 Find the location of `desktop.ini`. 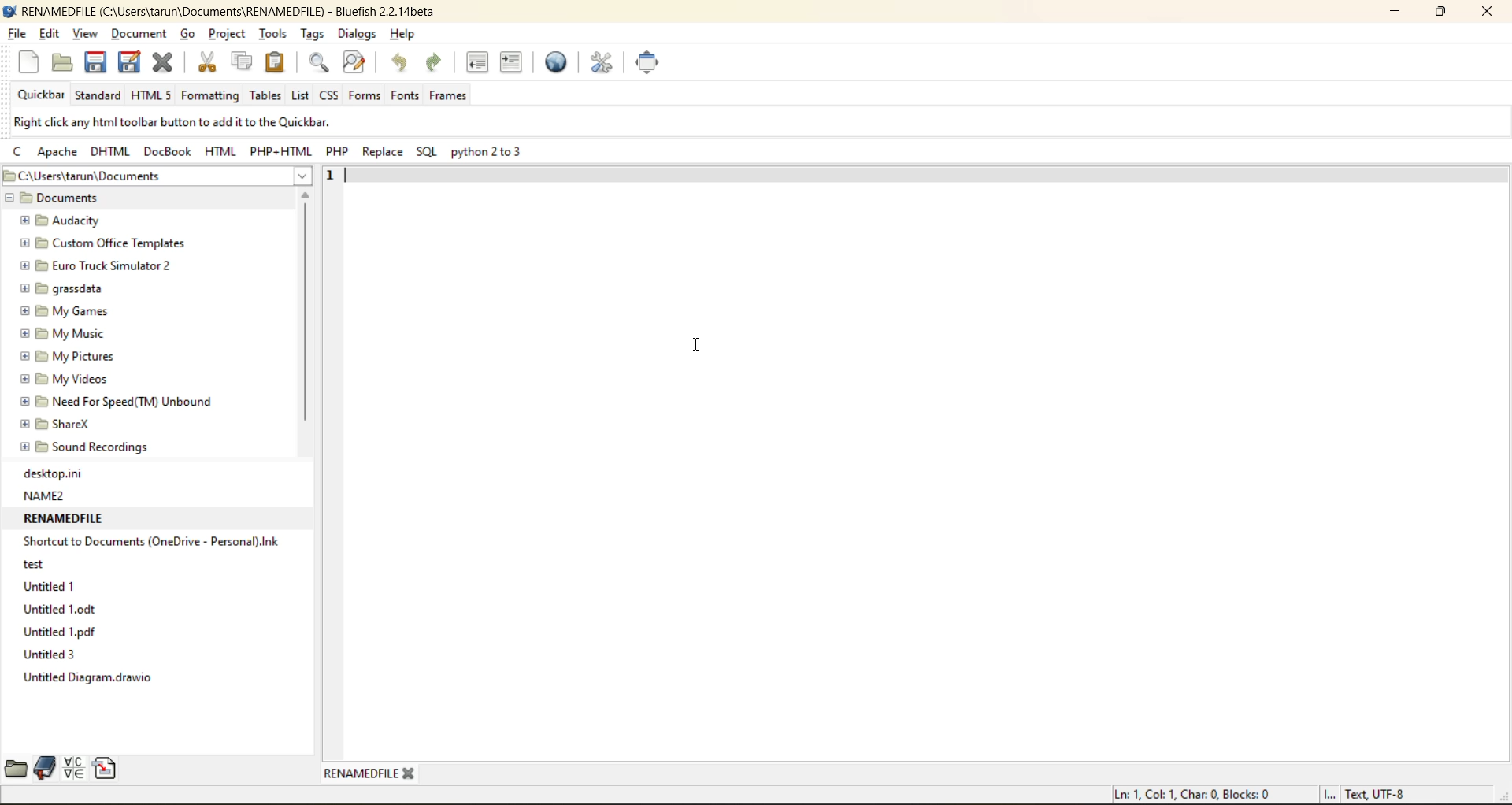

desktop.ini is located at coordinates (57, 472).